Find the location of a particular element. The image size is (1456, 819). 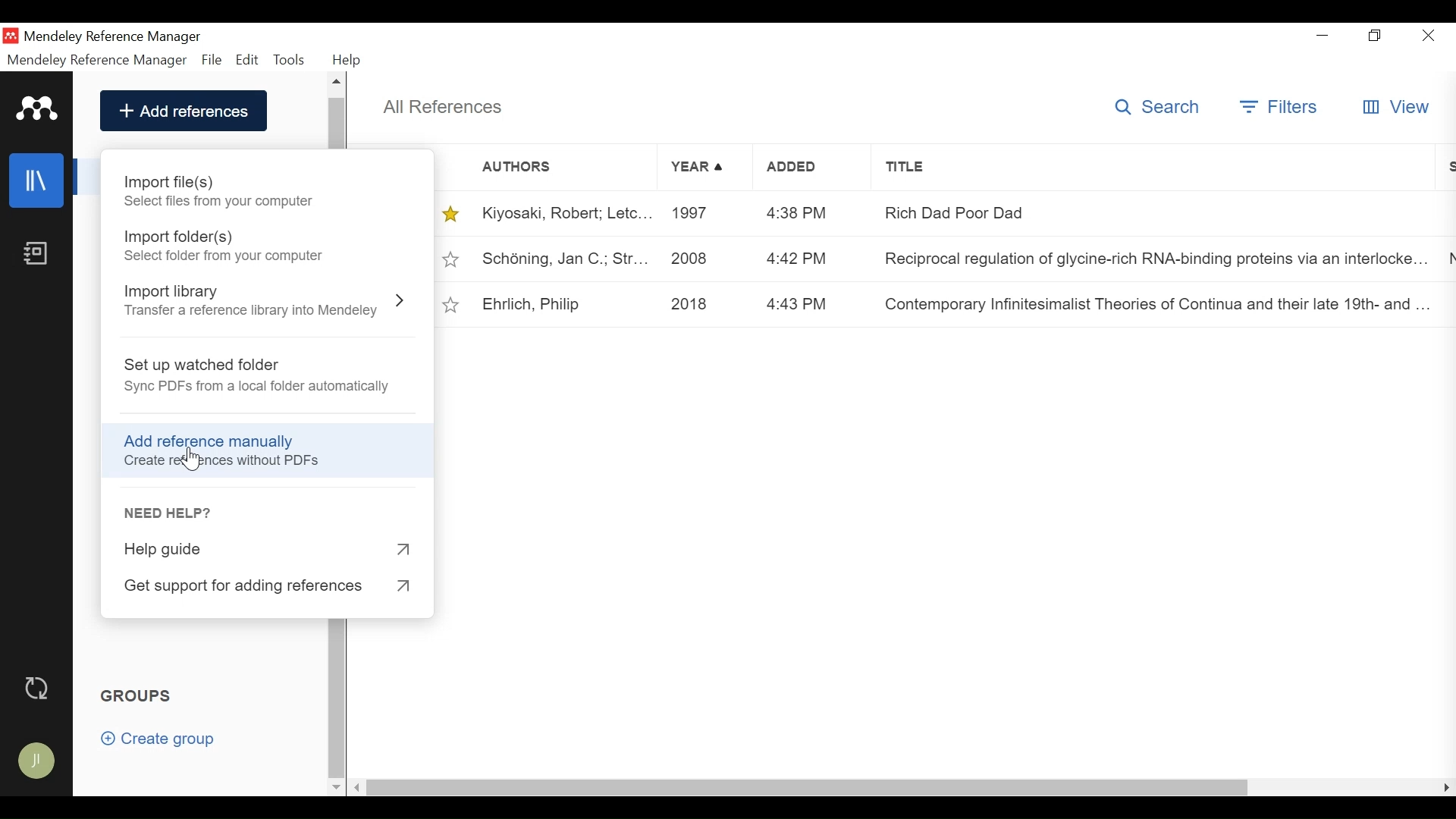

Scroll Right is located at coordinates (360, 786).